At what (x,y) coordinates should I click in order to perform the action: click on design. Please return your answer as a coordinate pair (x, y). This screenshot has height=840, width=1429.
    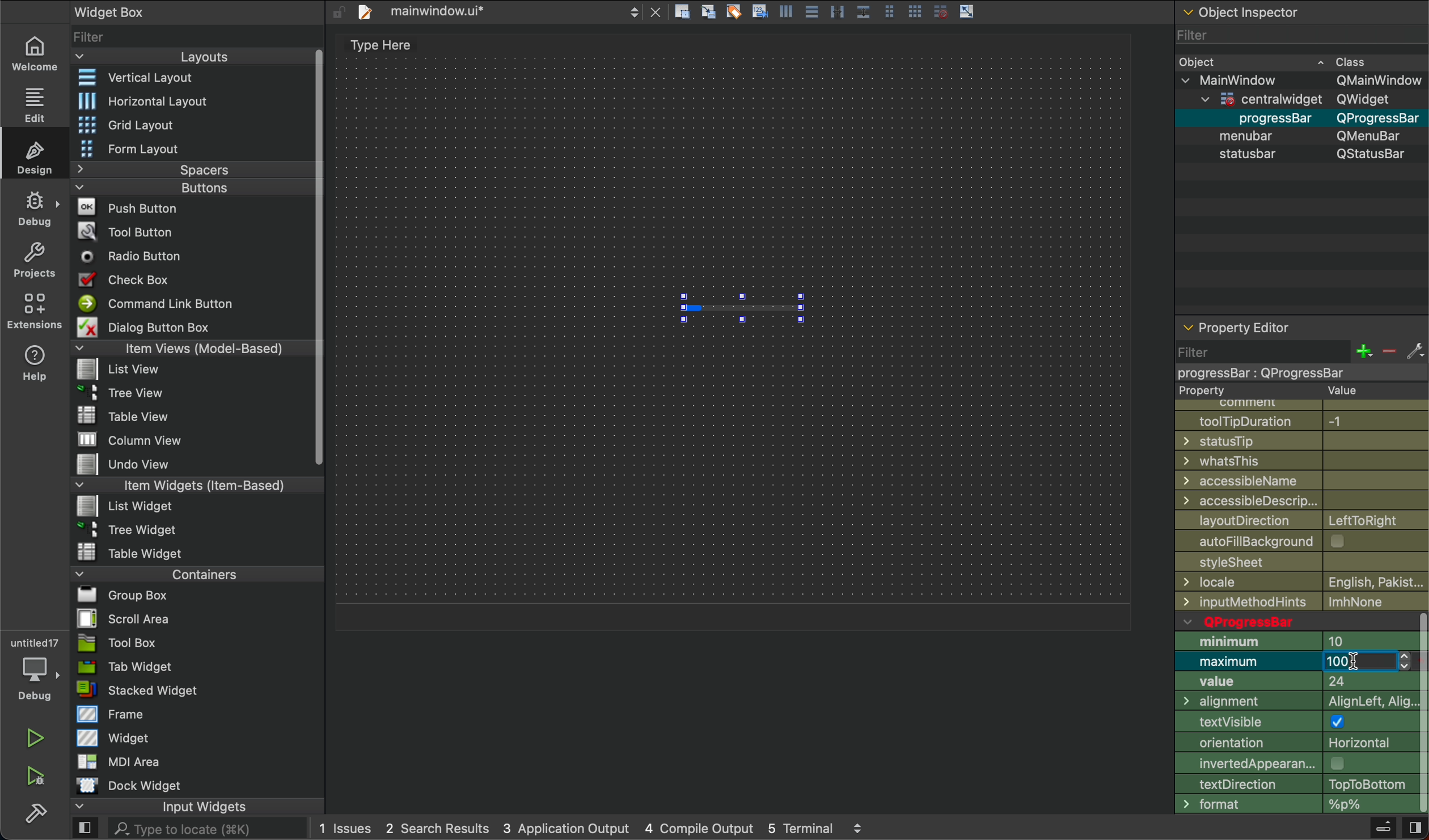
    Looking at the image, I should click on (37, 156).